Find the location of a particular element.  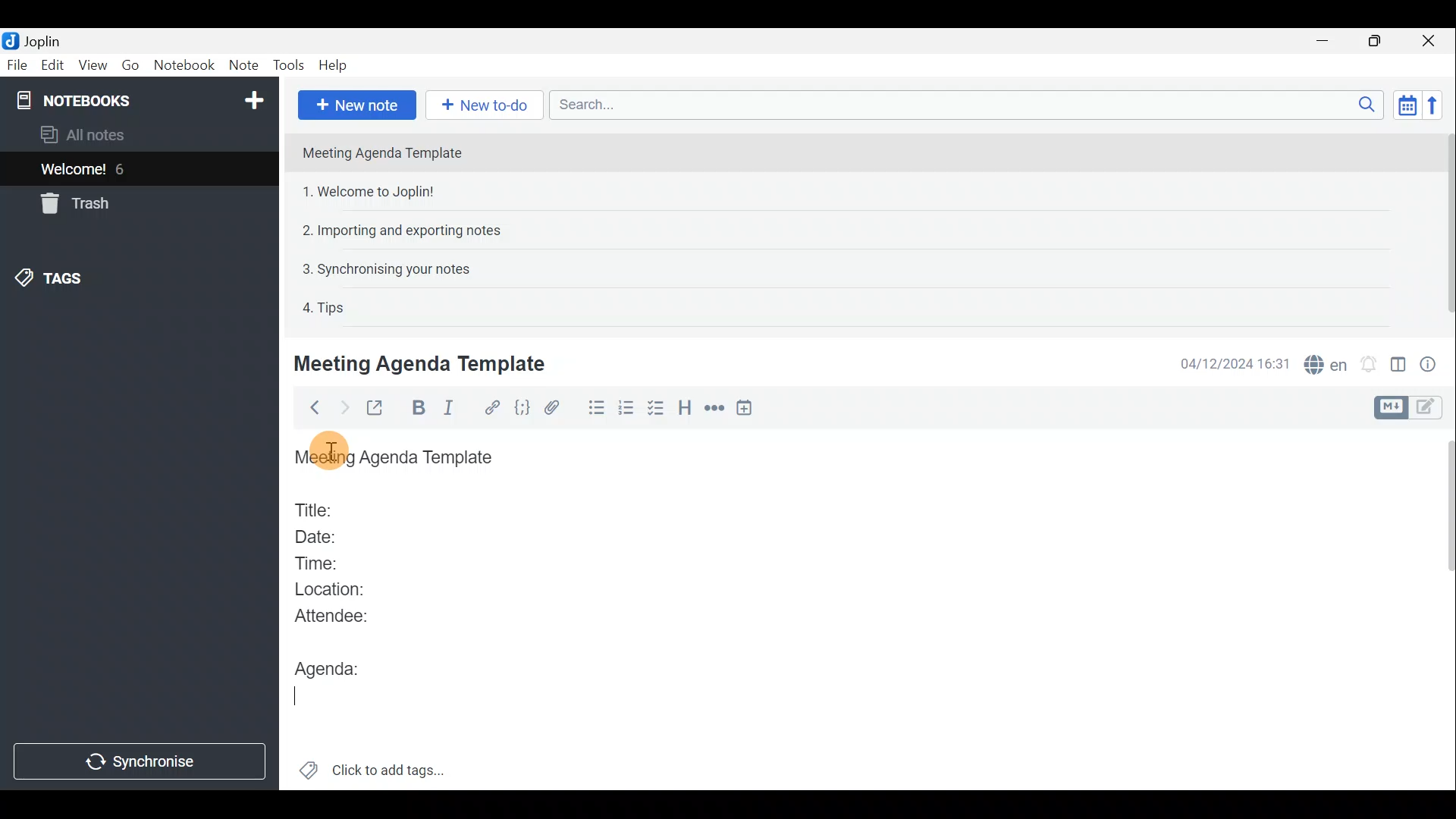

Toggle external editing is located at coordinates (379, 409).